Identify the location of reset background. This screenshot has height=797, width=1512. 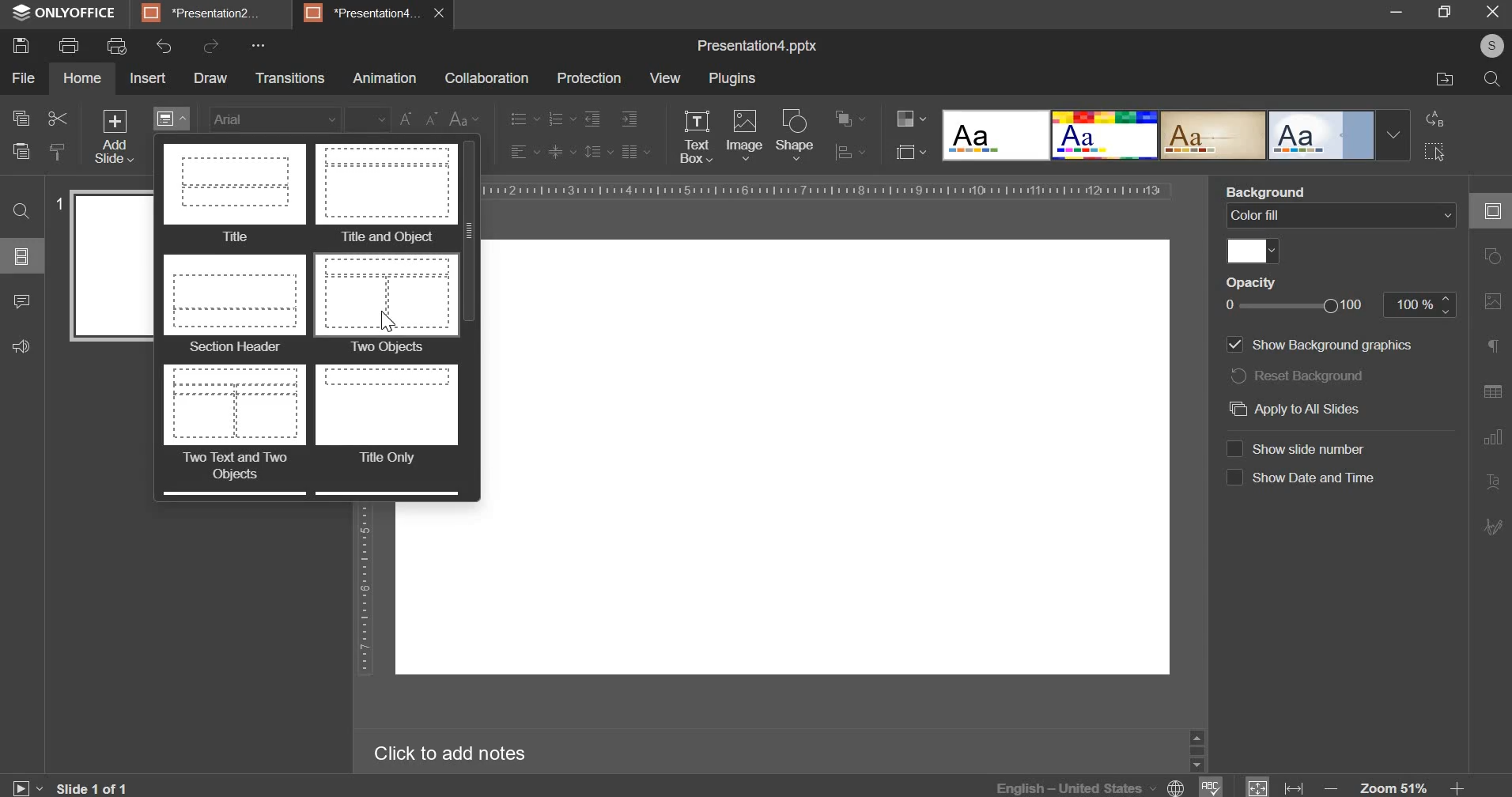
(1302, 376).